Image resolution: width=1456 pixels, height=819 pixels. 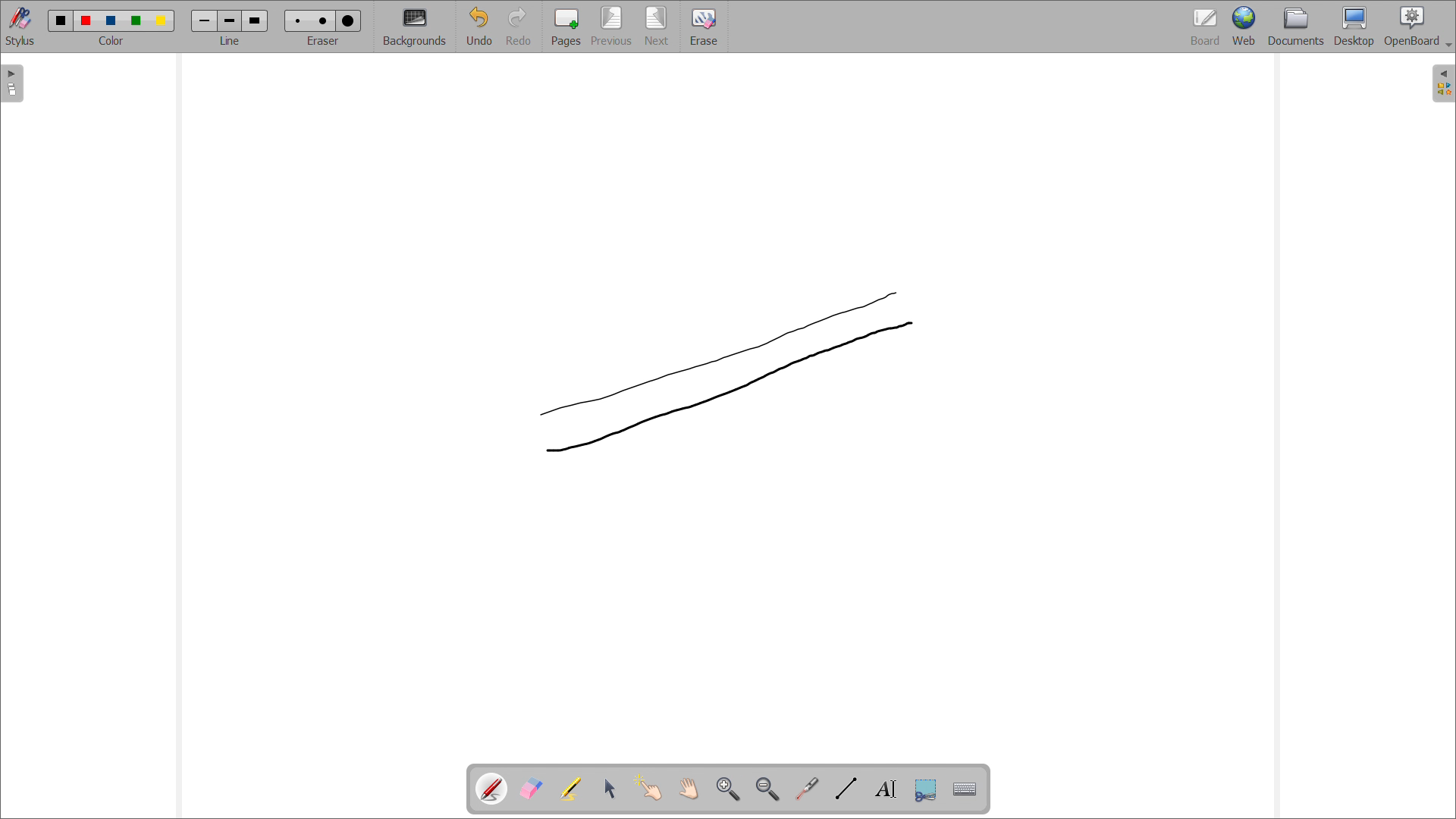 What do you see at coordinates (650, 788) in the screenshot?
I see `interact with items` at bounding box center [650, 788].